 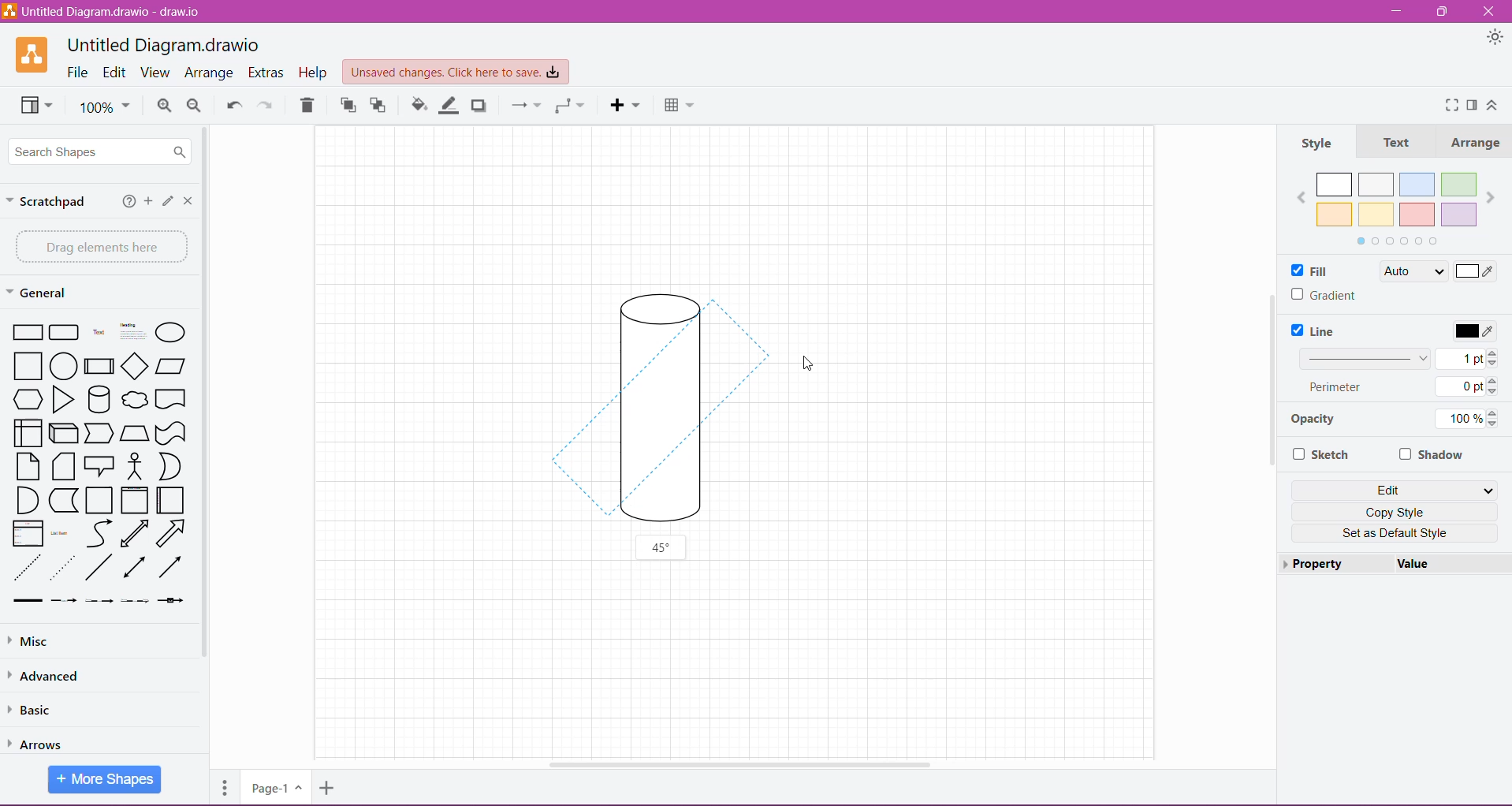 I want to click on Fill - enabled, so click(x=1324, y=270).